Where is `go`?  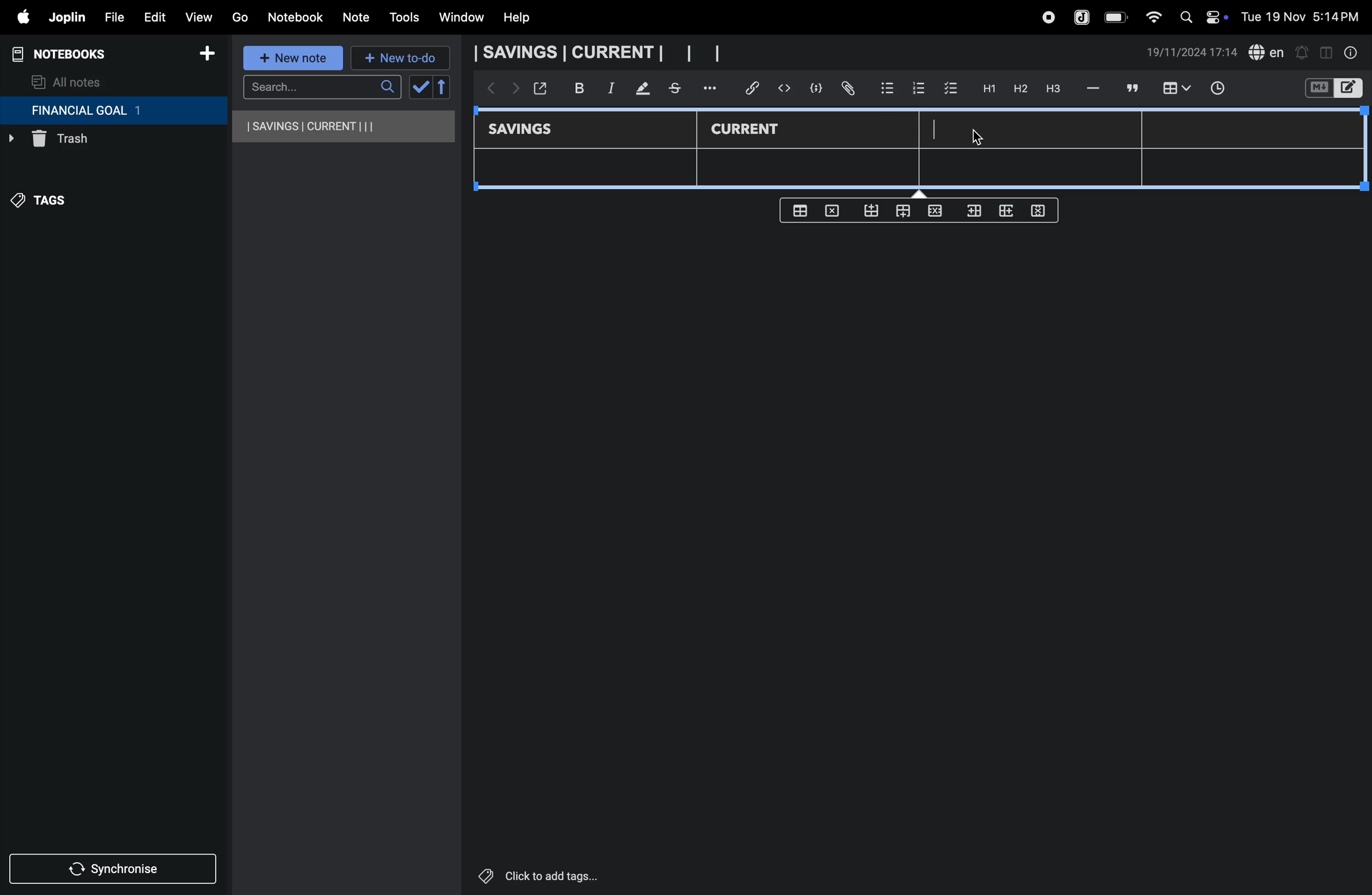 go is located at coordinates (240, 16).